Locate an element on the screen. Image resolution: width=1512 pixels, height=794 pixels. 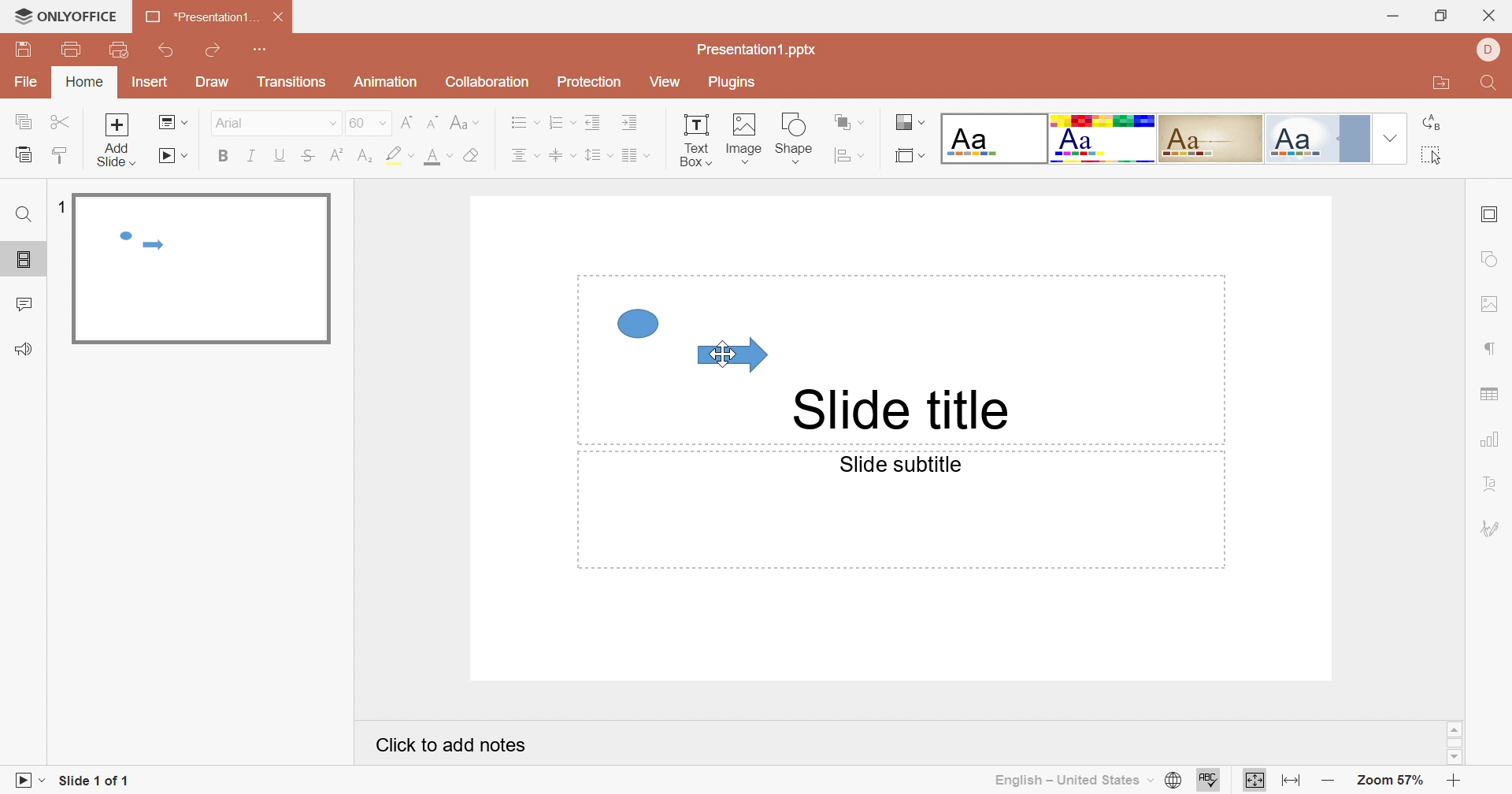
Blank is located at coordinates (995, 139).